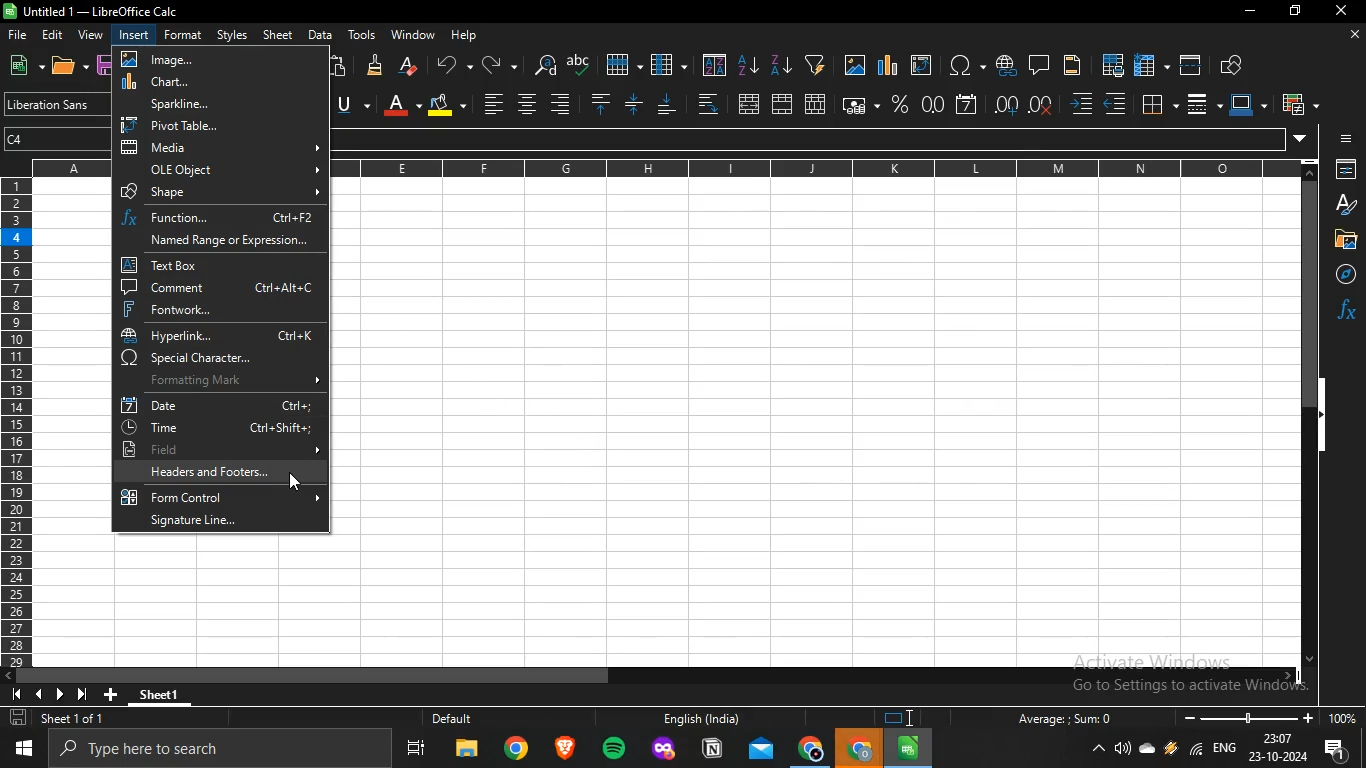 The image size is (1366, 768). I want to click on properties, so click(1343, 170).